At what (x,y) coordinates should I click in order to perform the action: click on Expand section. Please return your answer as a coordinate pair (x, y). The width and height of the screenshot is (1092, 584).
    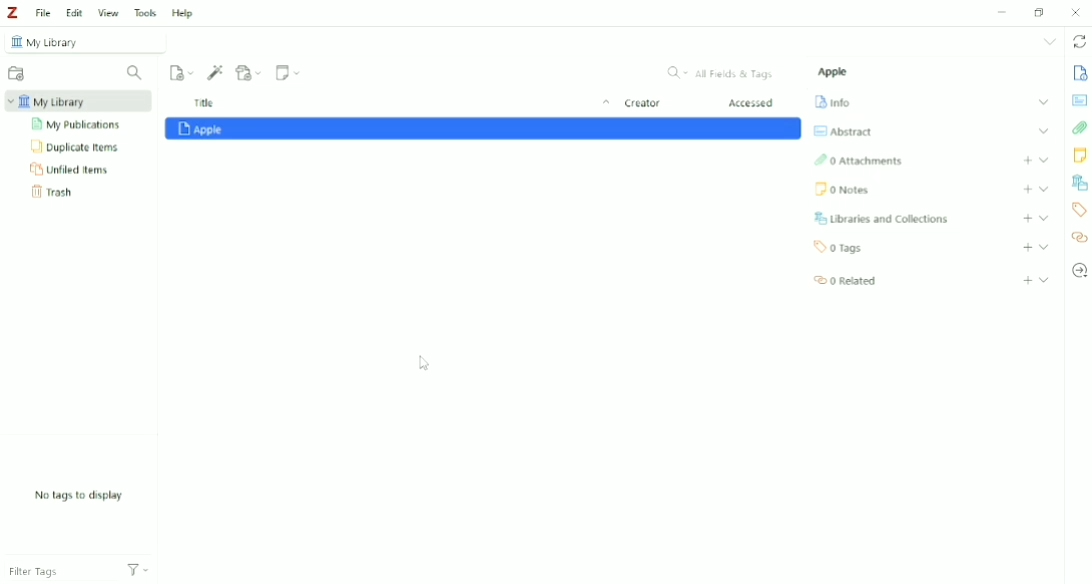
    Looking at the image, I should click on (1044, 247).